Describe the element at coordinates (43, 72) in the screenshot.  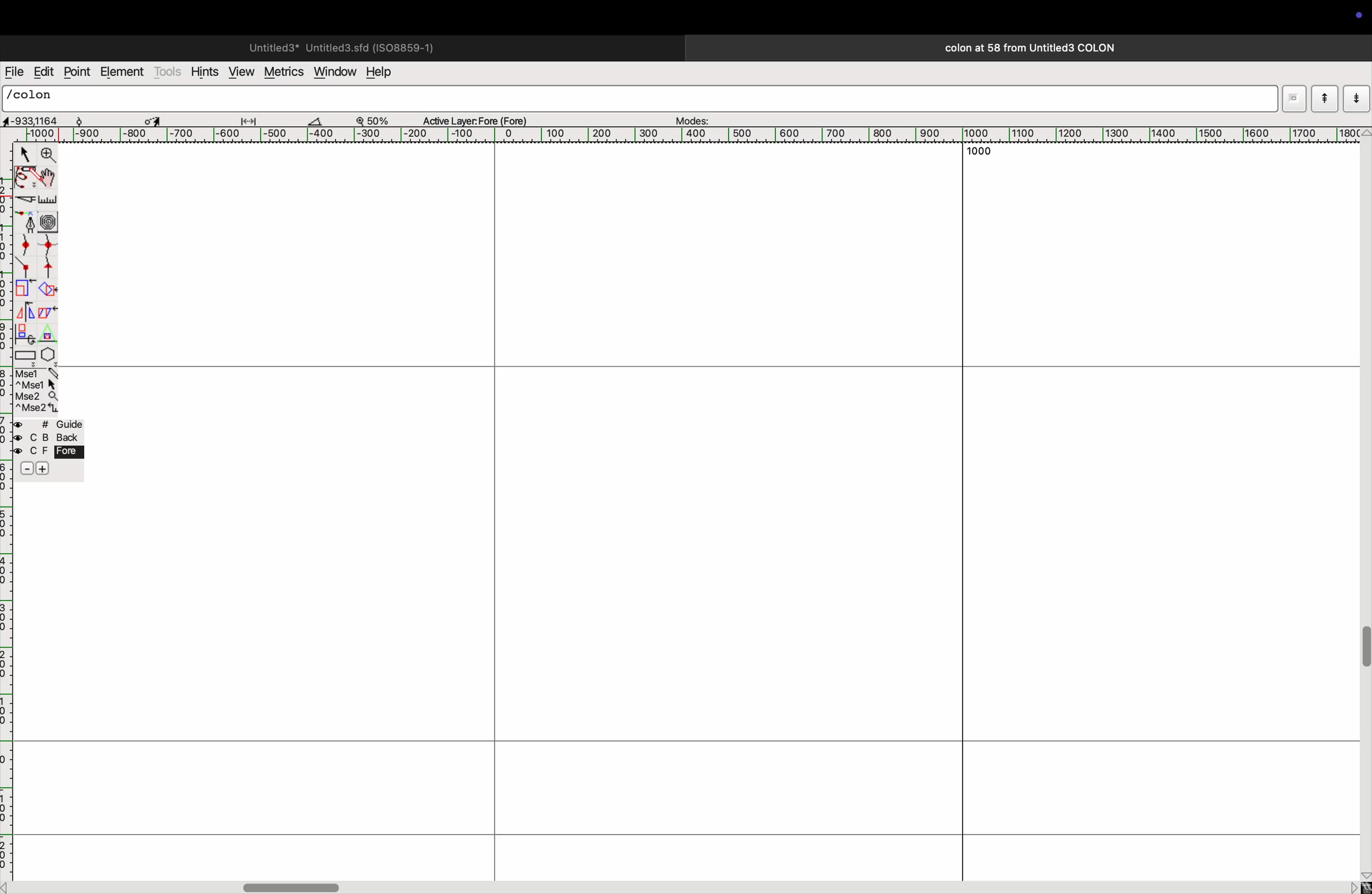
I see `edit` at that location.